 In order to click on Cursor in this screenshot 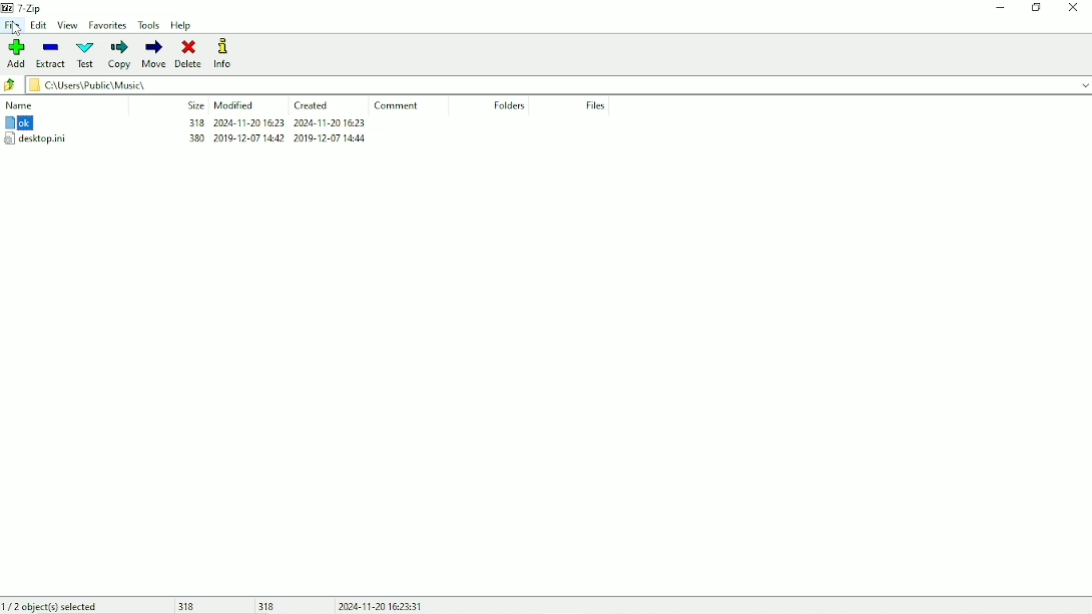, I will do `click(14, 29)`.